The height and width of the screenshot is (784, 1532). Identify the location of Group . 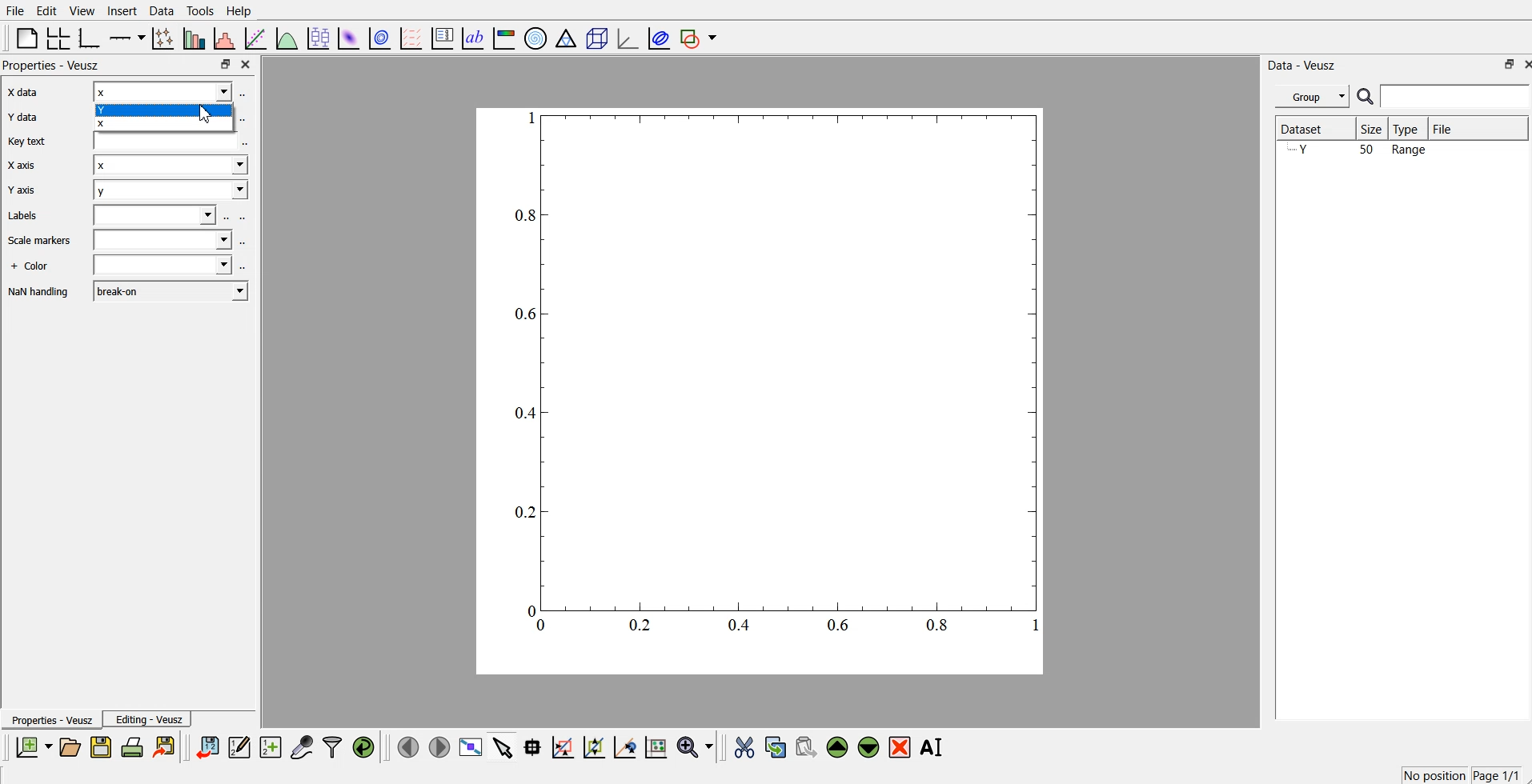
(1313, 96).